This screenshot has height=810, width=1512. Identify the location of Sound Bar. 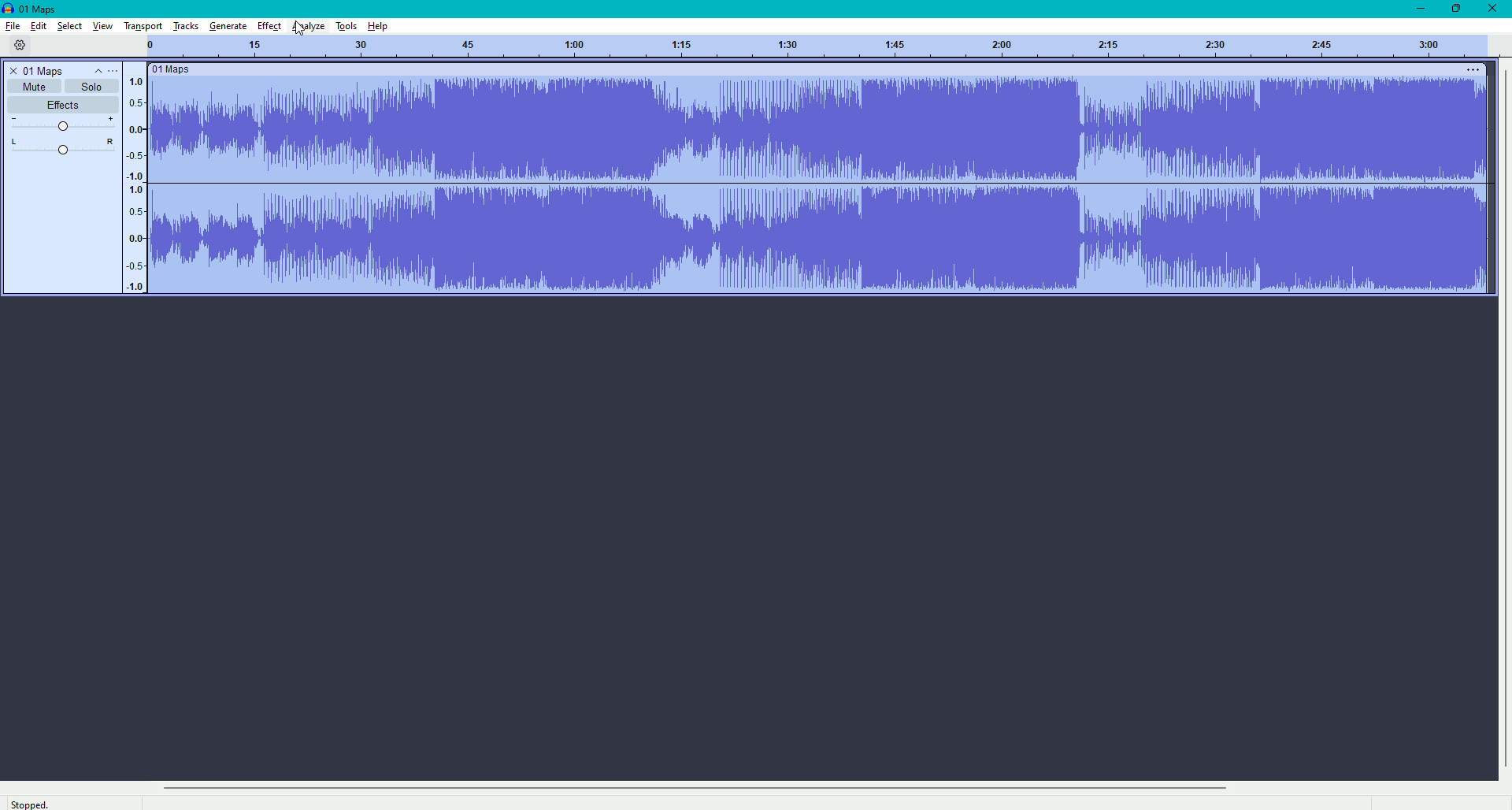
(824, 186).